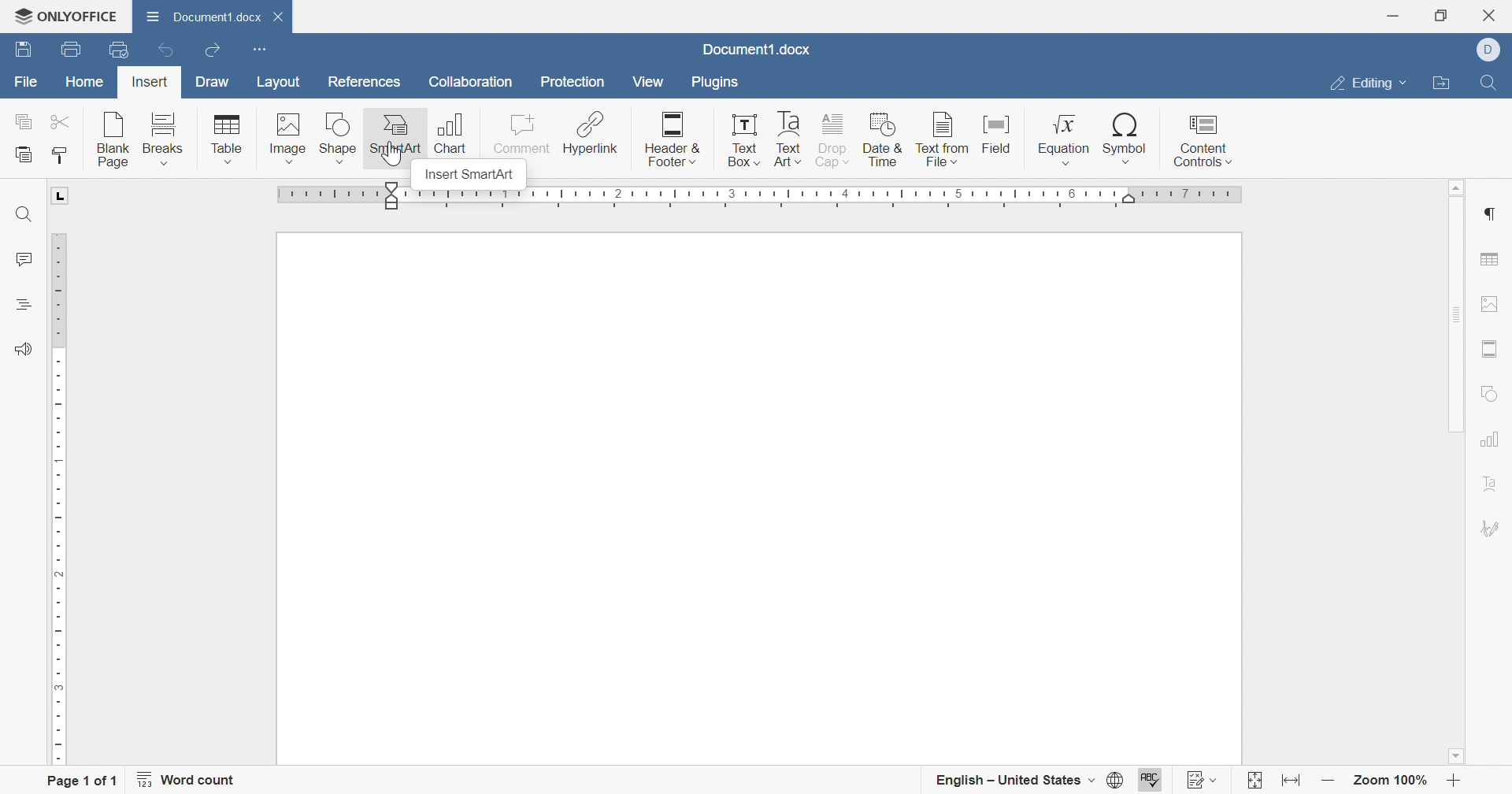 This screenshot has width=1512, height=794. I want to click on Insert SmartArt, so click(472, 175).